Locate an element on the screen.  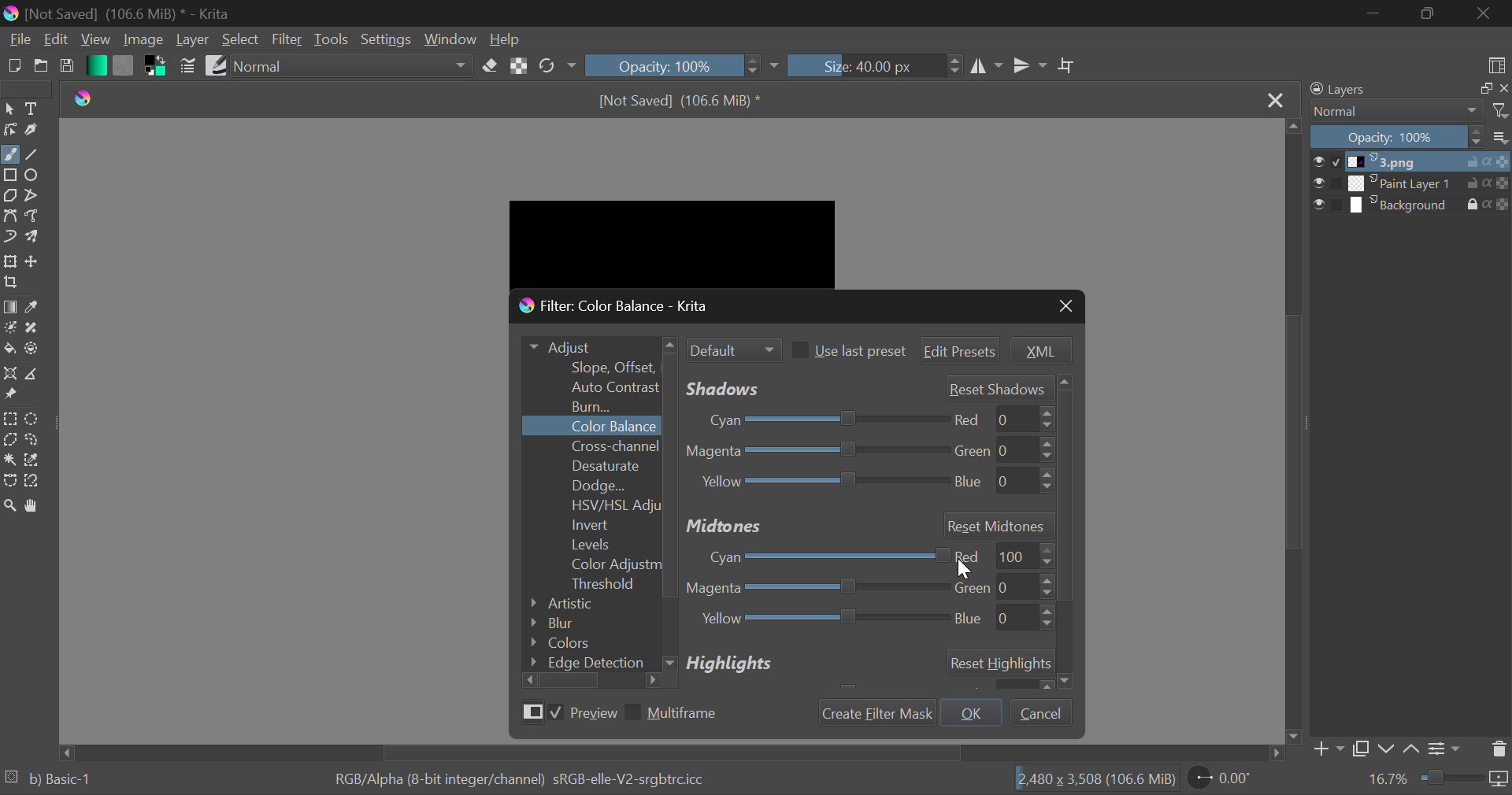
Yellow-Blue Slider is located at coordinates (813, 483).